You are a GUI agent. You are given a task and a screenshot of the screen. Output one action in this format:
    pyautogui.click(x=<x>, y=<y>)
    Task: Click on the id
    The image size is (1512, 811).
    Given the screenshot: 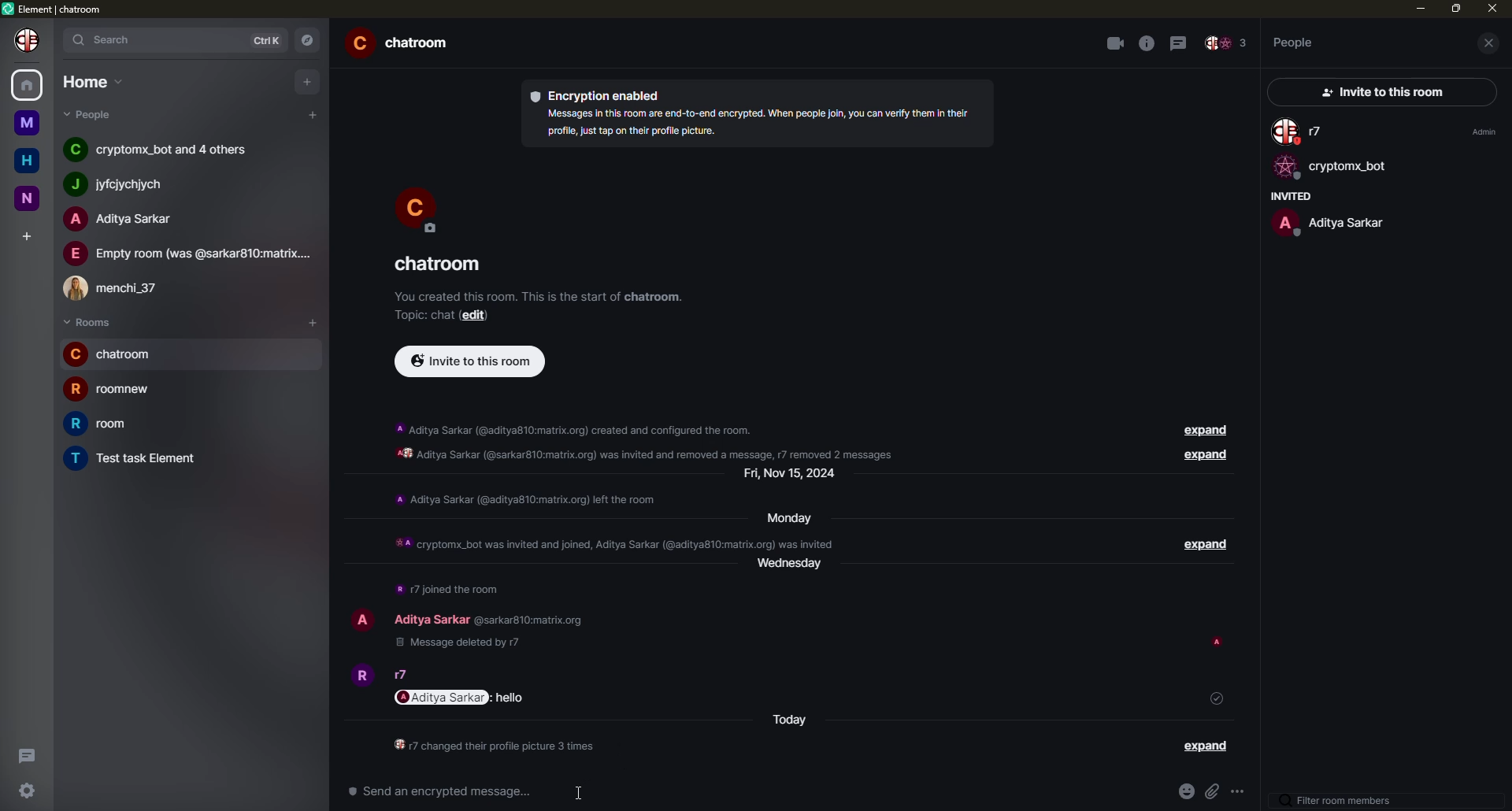 What is the action you would take?
    pyautogui.click(x=527, y=621)
    